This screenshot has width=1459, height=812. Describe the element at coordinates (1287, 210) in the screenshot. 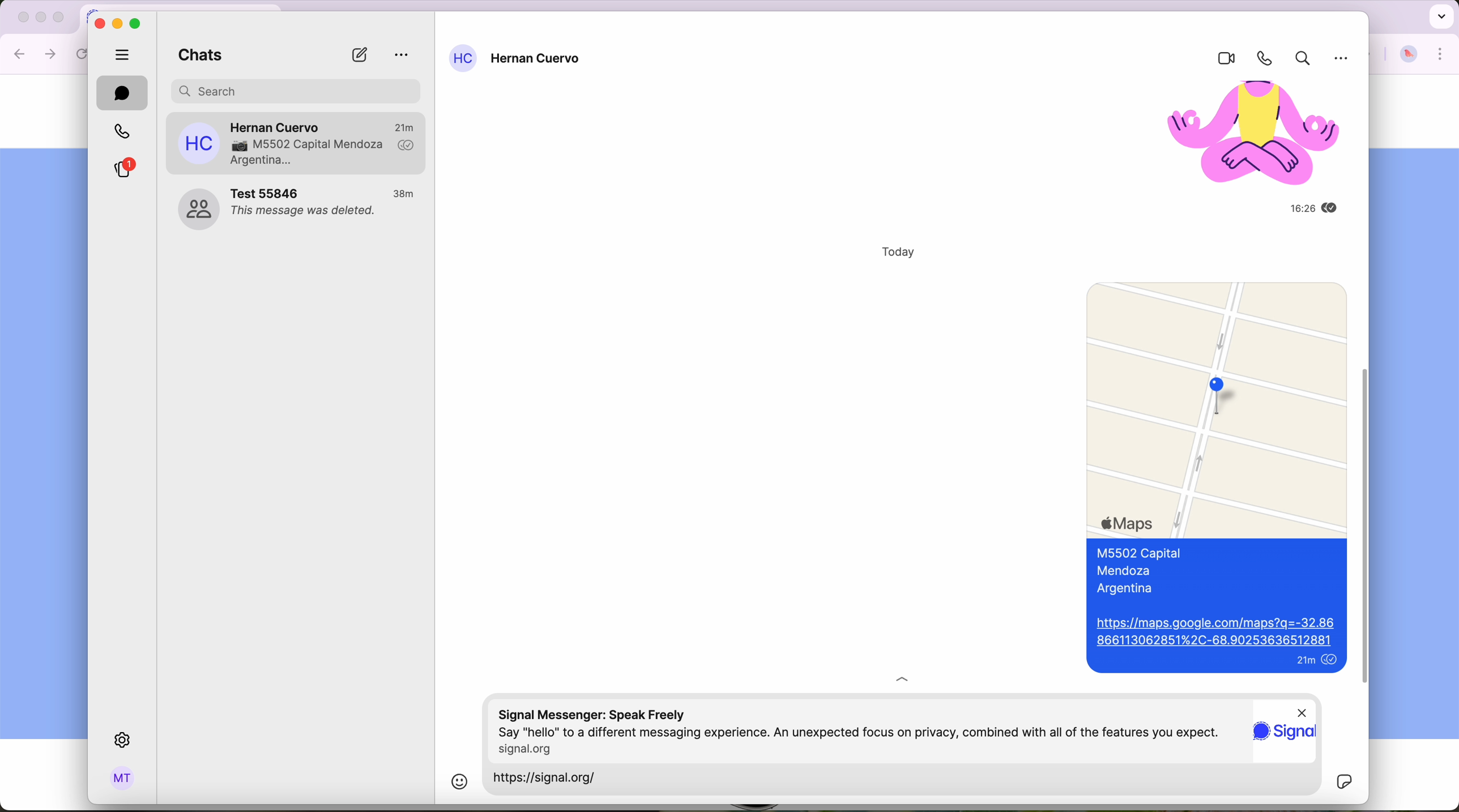

I see `16:26` at that location.